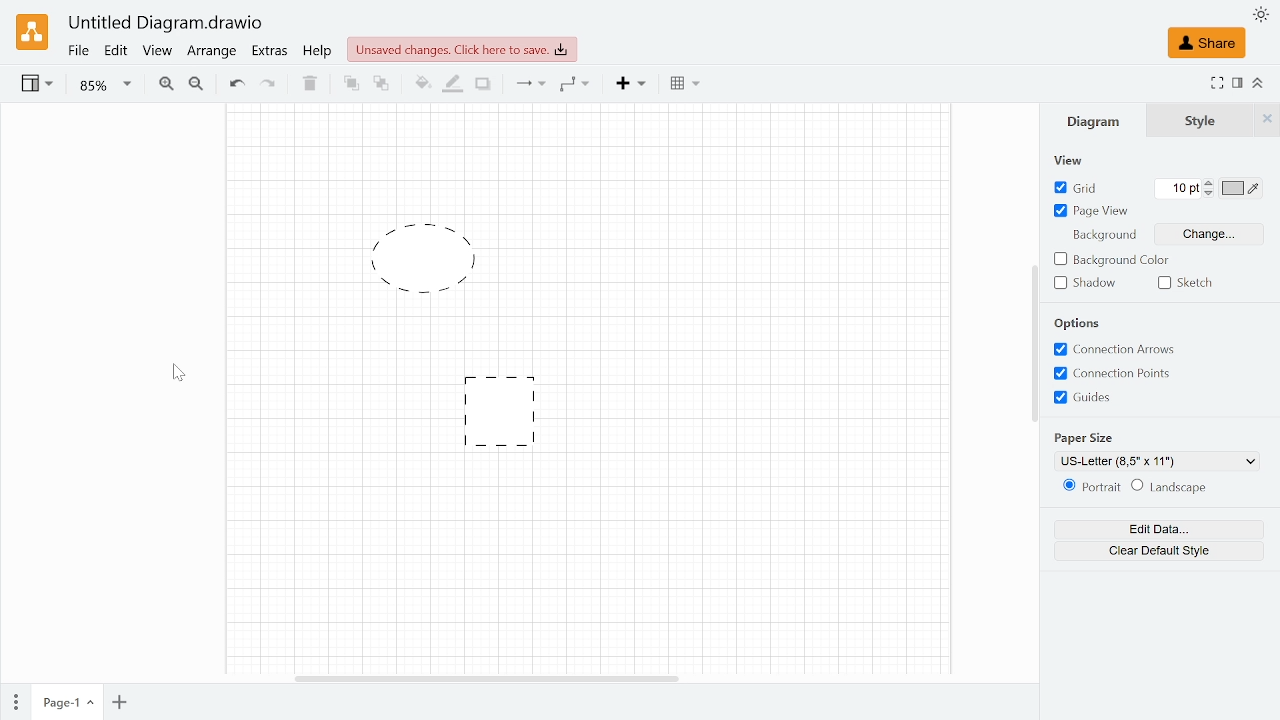 This screenshot has height=720, width=1280. Describe the element at coordinates (350, 84) in the screenshot. I see `TO front` at that location.